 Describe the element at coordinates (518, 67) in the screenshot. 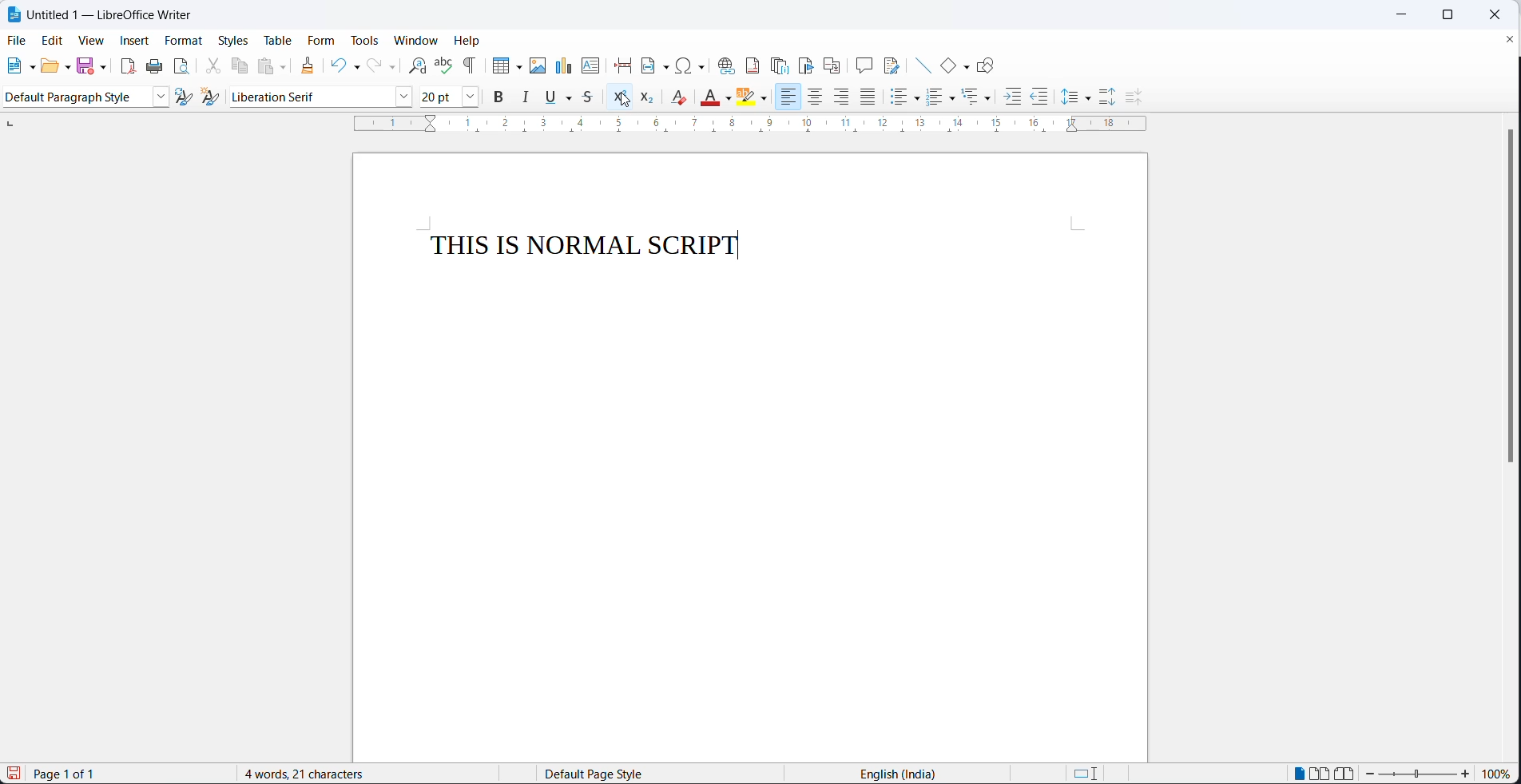

I see `table grid` at that location.